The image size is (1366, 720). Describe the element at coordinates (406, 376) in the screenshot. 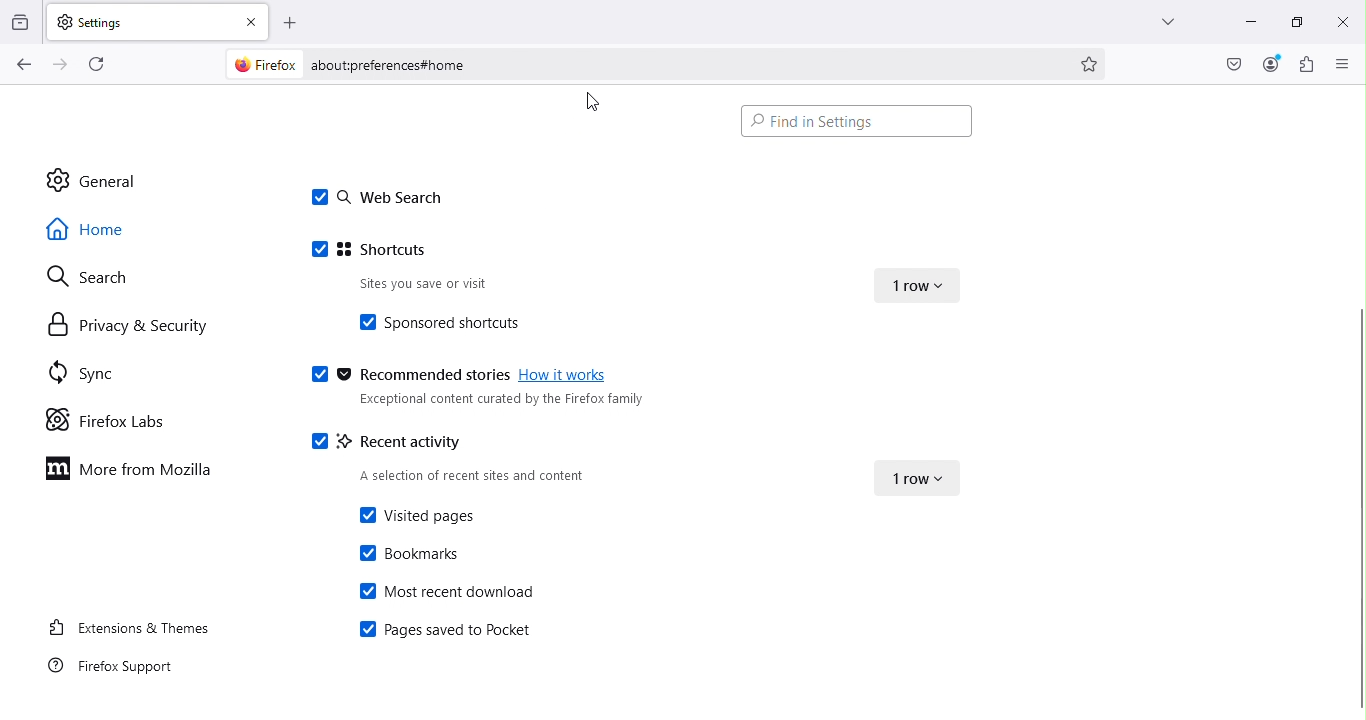

I see `Recommend stories` at that location.